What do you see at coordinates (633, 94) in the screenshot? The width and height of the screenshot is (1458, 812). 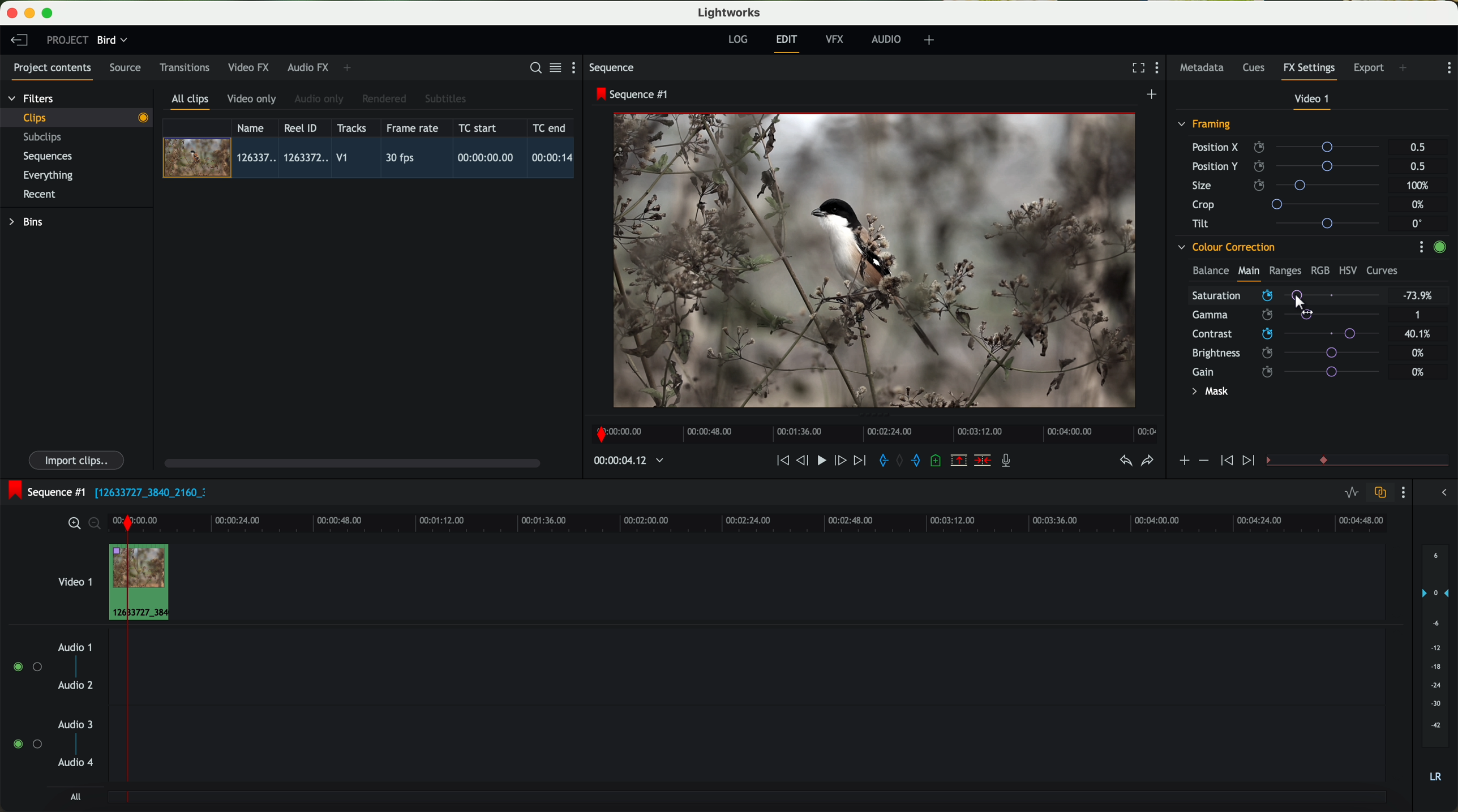 I see `sequence #1` at bounding box center [633, 94].